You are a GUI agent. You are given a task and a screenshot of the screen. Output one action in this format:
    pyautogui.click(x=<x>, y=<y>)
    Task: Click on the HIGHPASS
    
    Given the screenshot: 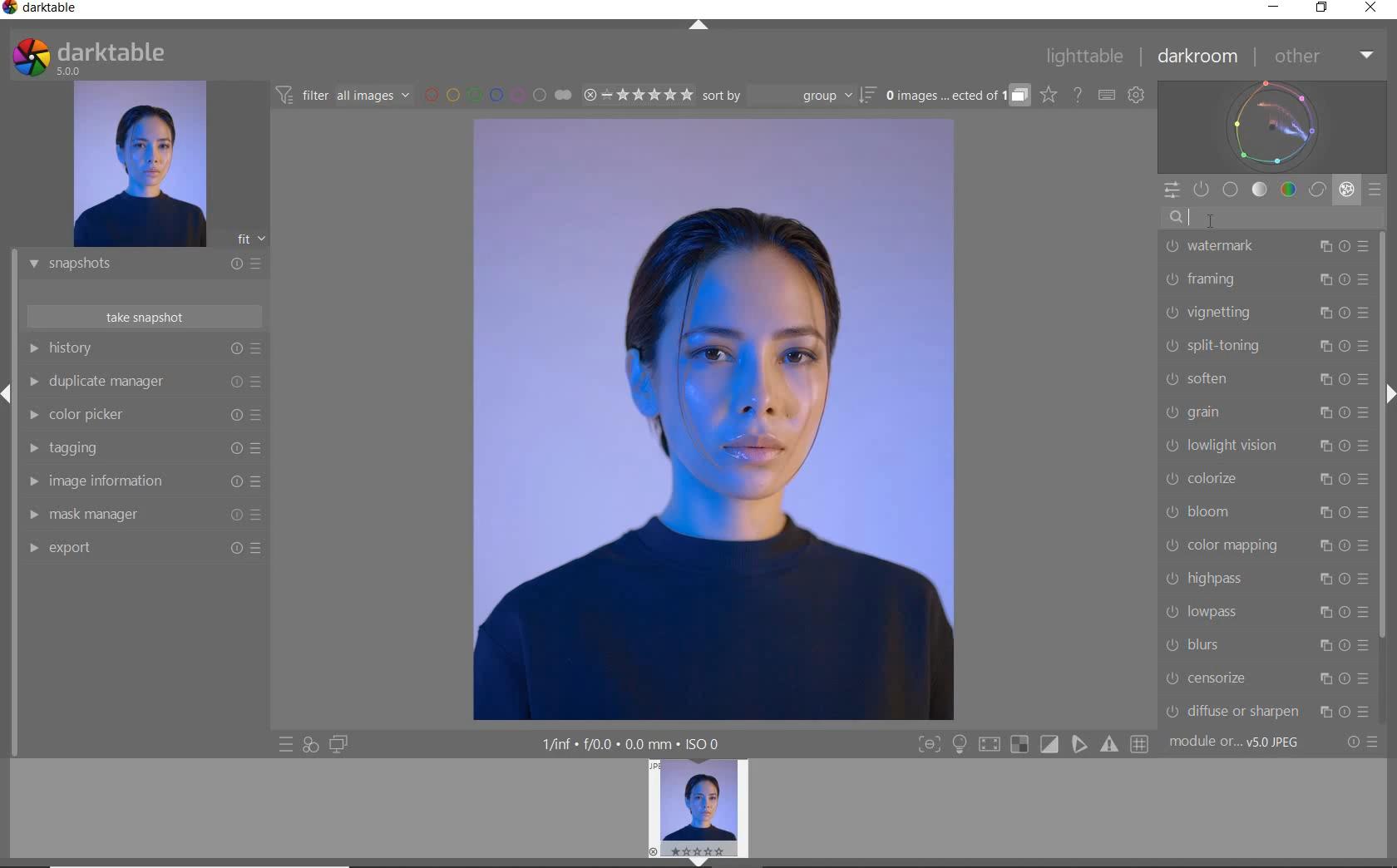 What is the action you would take?
    pyautogui.click(x=1267, y=578)
    